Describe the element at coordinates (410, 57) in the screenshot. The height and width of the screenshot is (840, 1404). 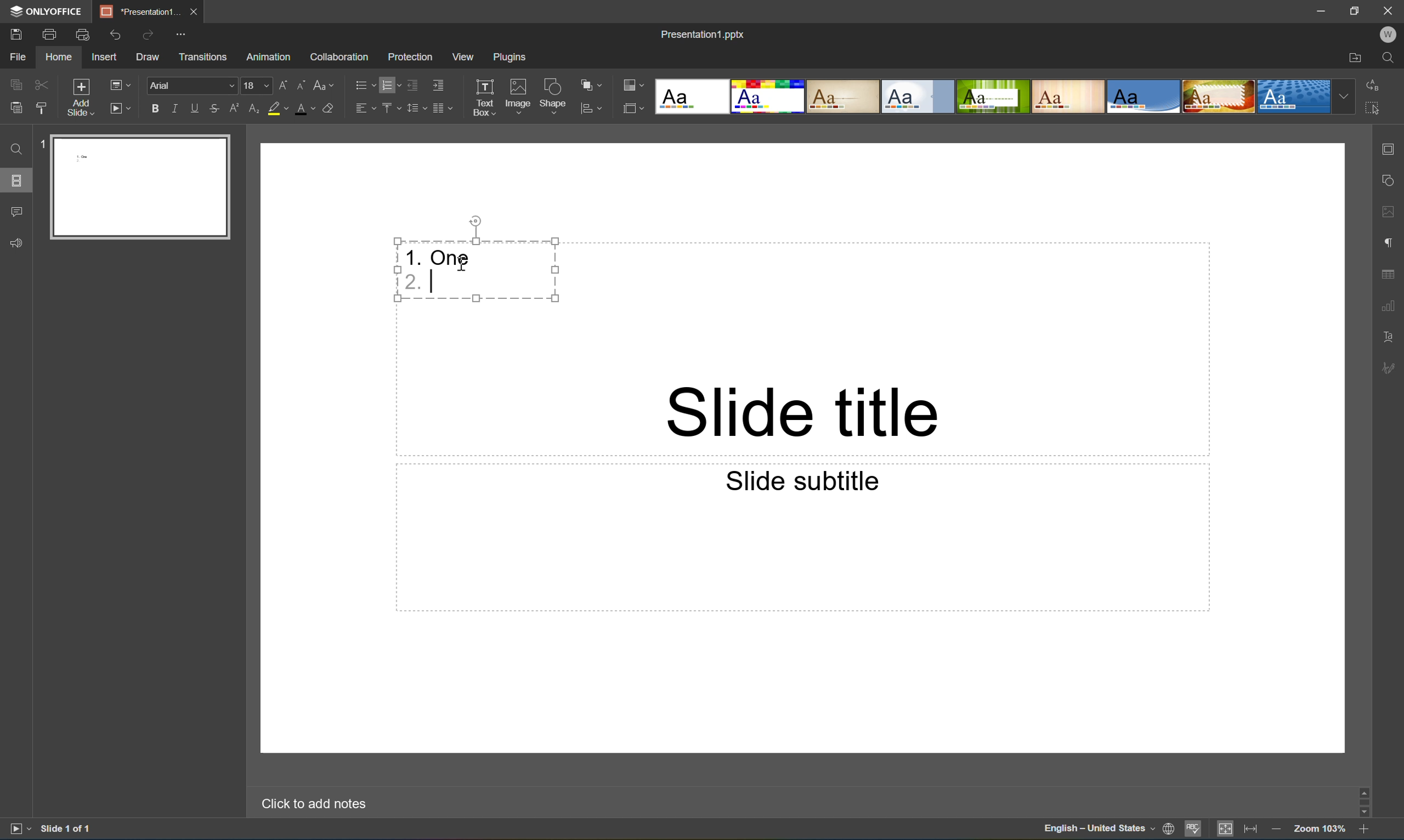
I see `Protection` at that location.